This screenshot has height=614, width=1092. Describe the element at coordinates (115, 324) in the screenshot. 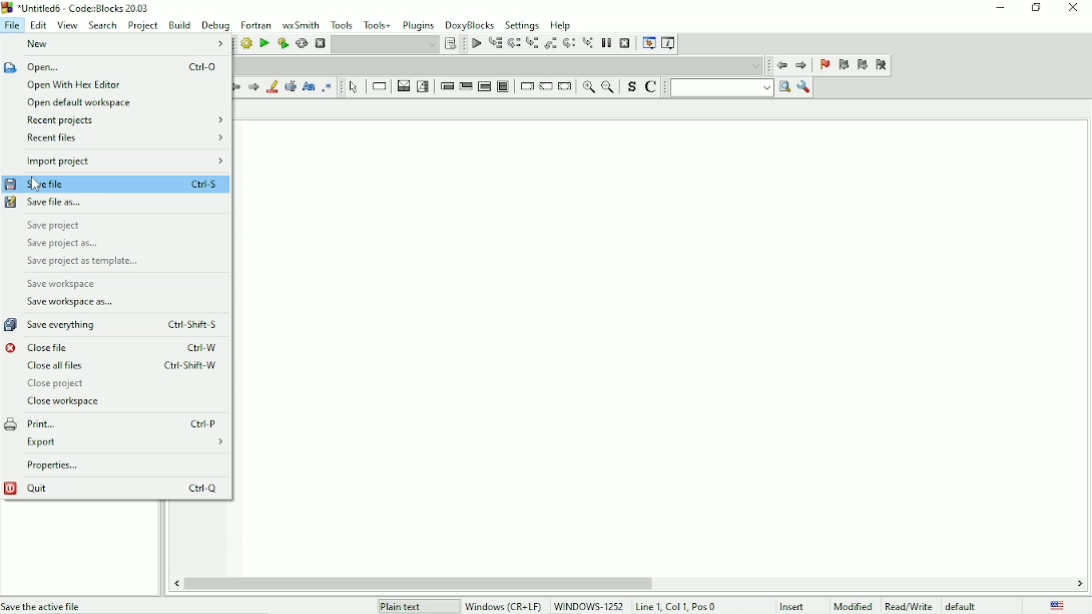

I see `Save everything` at that location.